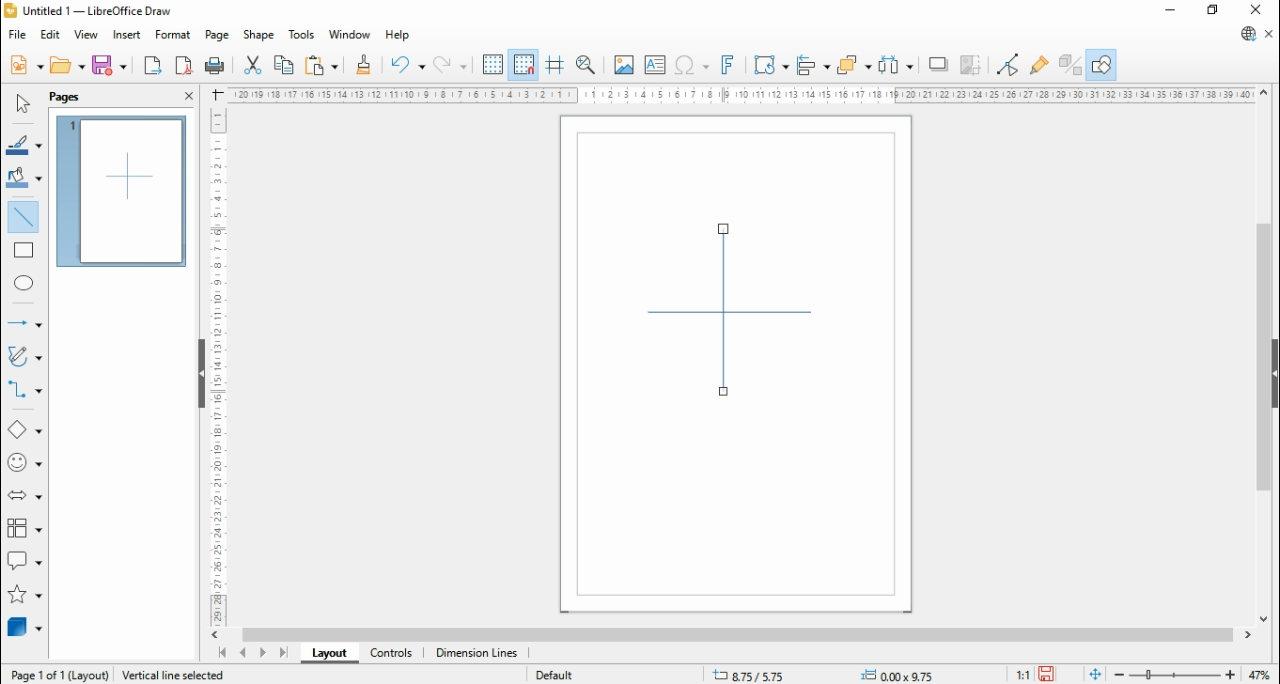  Describe the element at coordinates (262, 652) in the screenshot. I see `next page` at that location.